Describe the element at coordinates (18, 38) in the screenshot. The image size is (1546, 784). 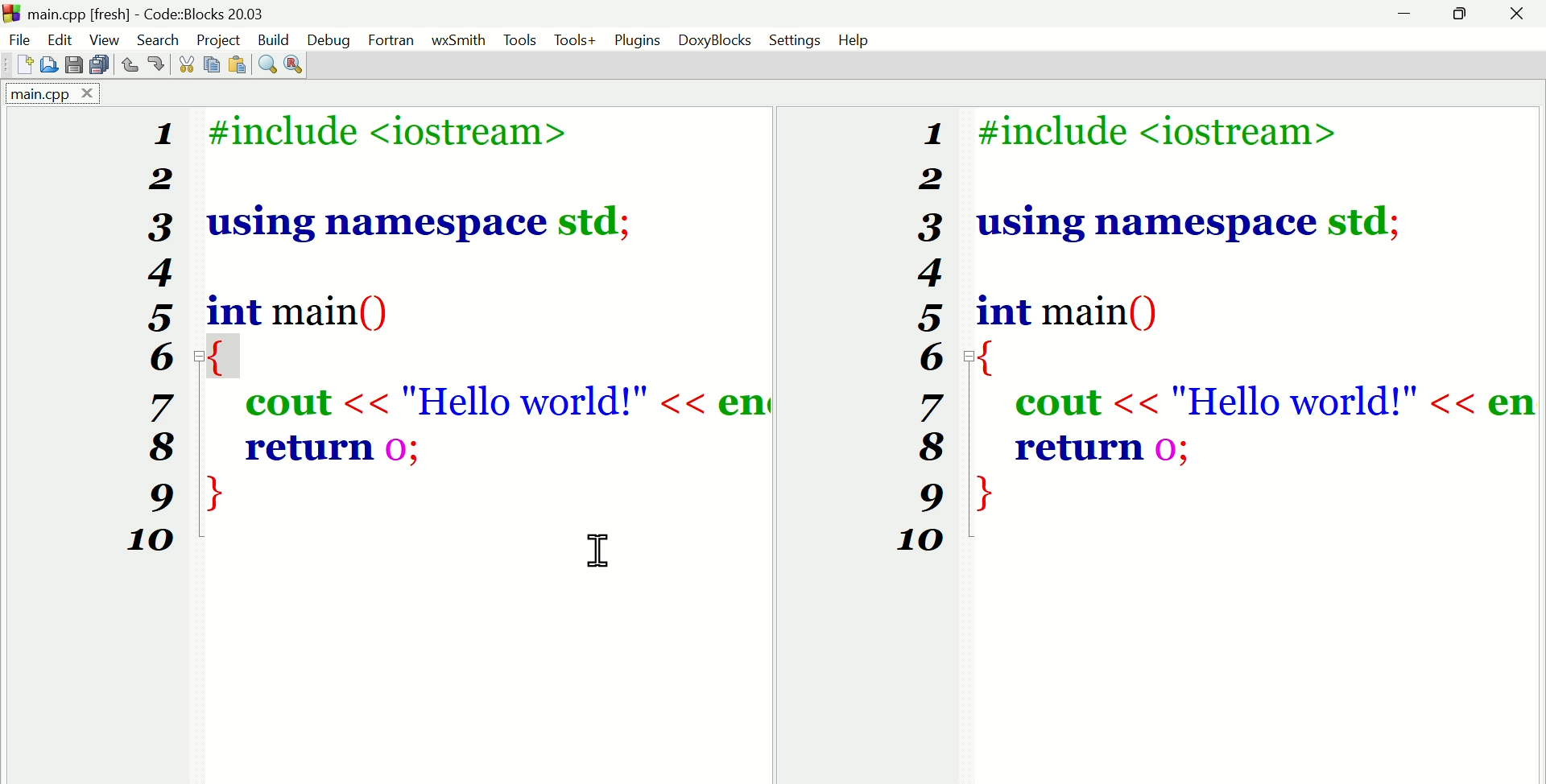
I see `file` at that location.